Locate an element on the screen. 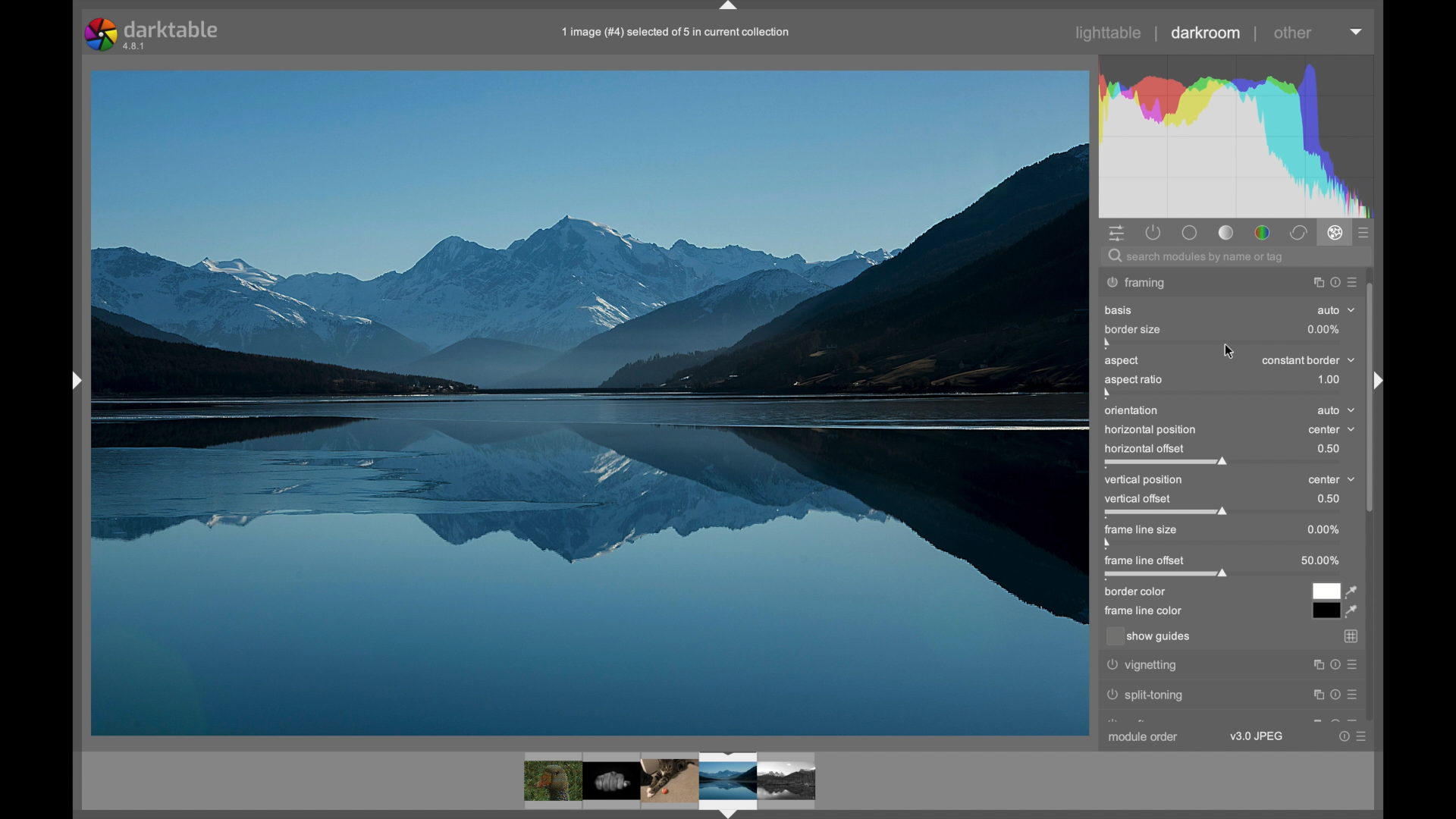 The width and height of the screenshot is (1456, 819). 50.00% is located at coordinates (1321, 560).